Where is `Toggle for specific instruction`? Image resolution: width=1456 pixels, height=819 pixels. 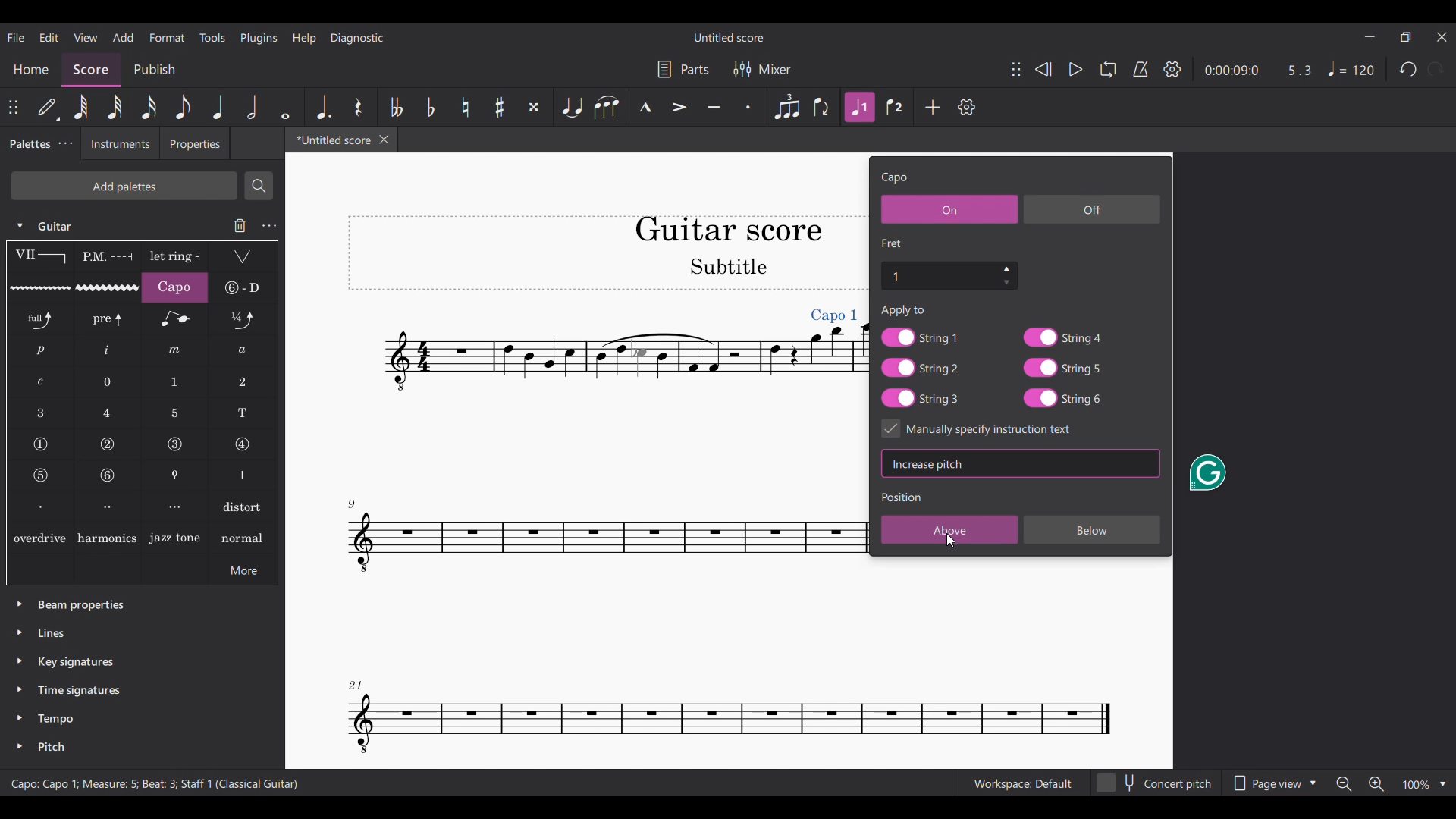 Toggle for specific instruction is located at coordinates (990, 428).